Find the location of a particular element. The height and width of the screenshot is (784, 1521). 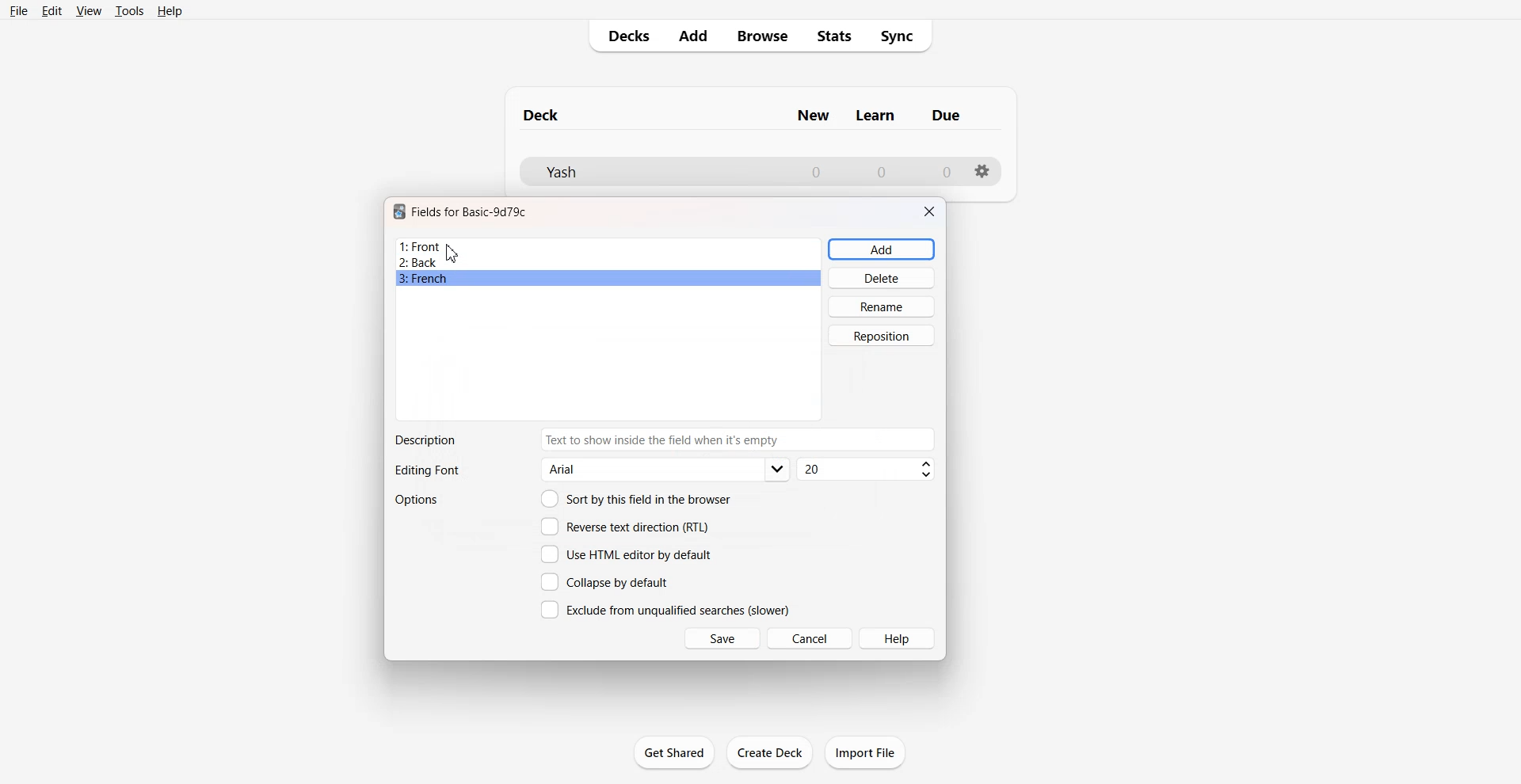

Sort by this field in the browser is located at coordinates (636, 498).